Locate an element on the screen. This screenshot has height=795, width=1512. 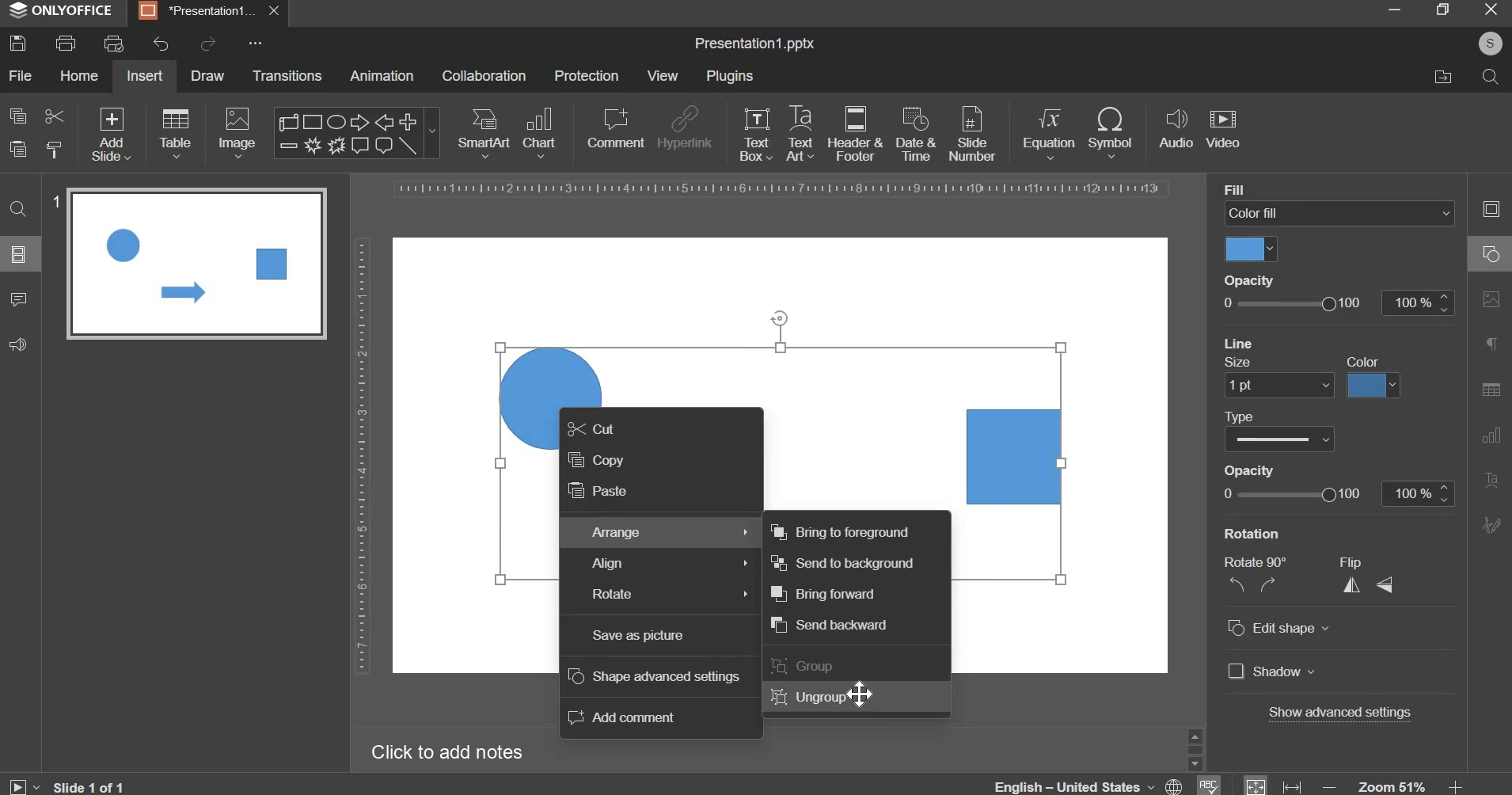
Rotate 90° is located at coordinates (1260, 562).